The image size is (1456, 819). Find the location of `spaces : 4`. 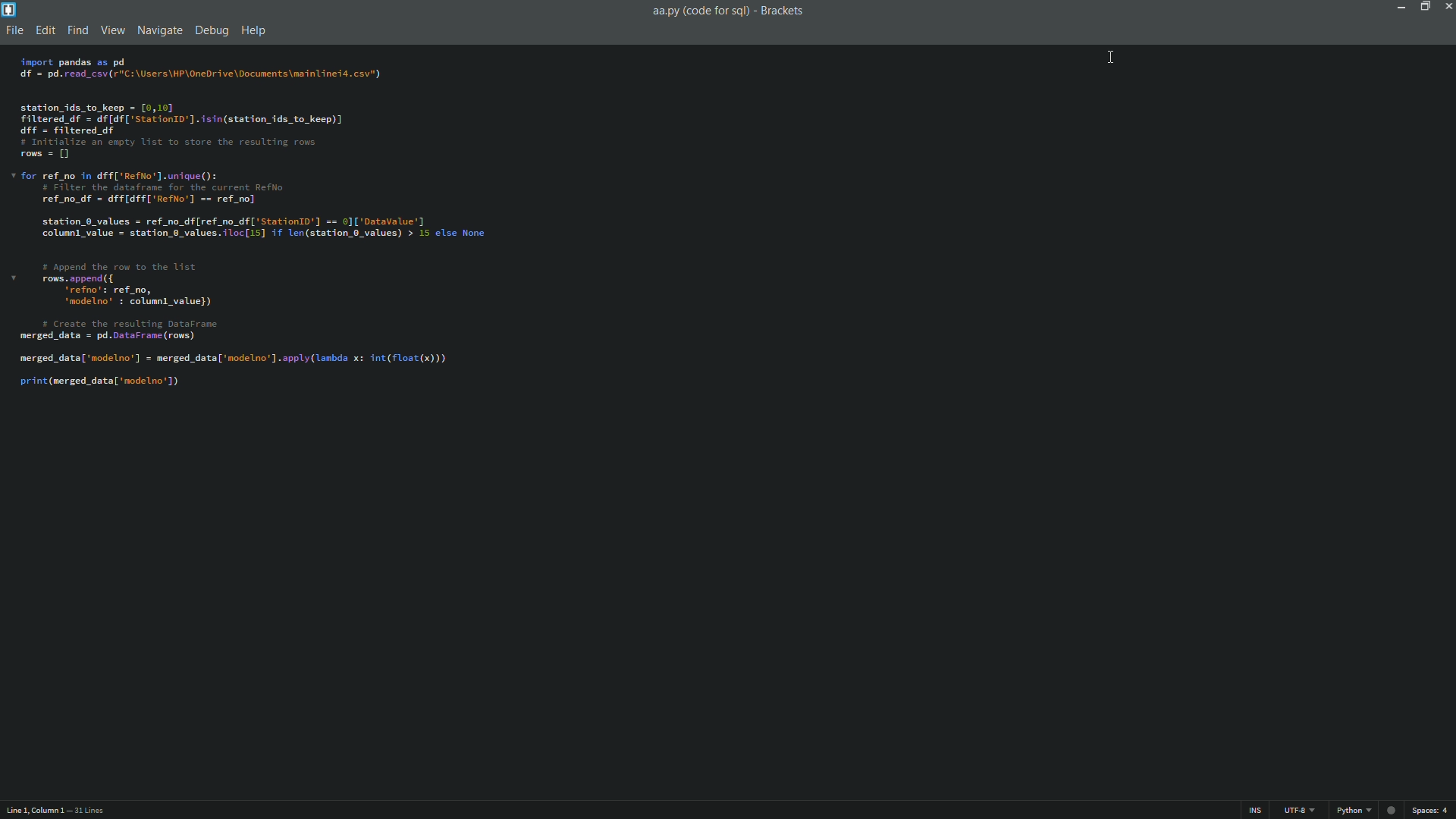

spaces : 4 is located at coordinates (1432, 808).